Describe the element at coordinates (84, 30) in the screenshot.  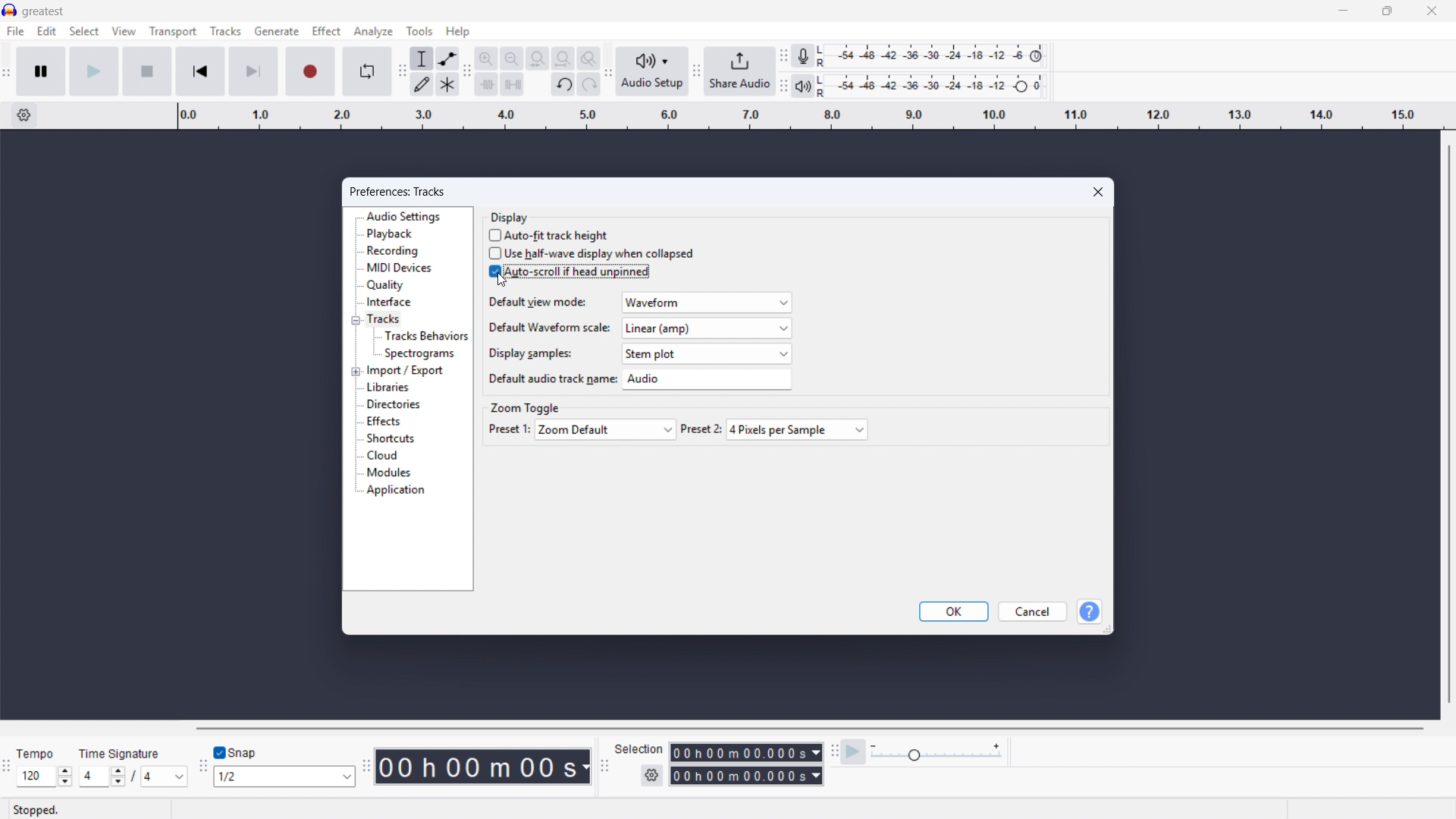
I see `Select ` at that location.